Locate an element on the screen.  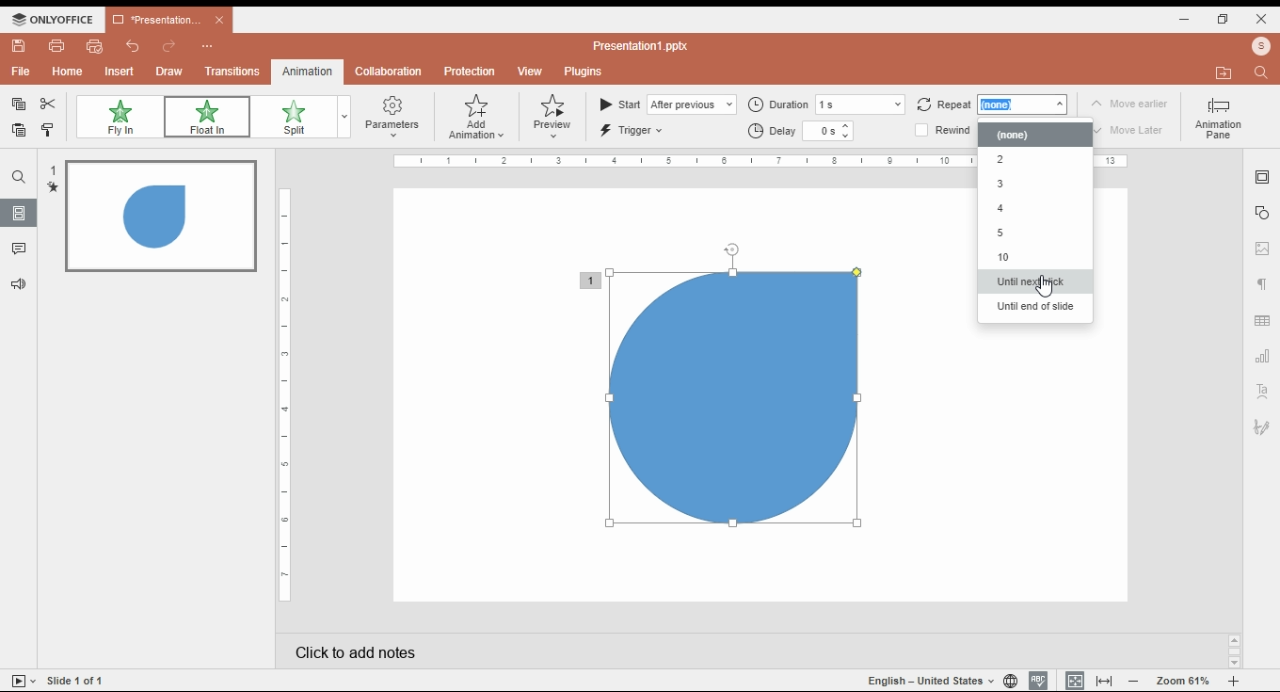
3 is located at coordinates (1035, 185).